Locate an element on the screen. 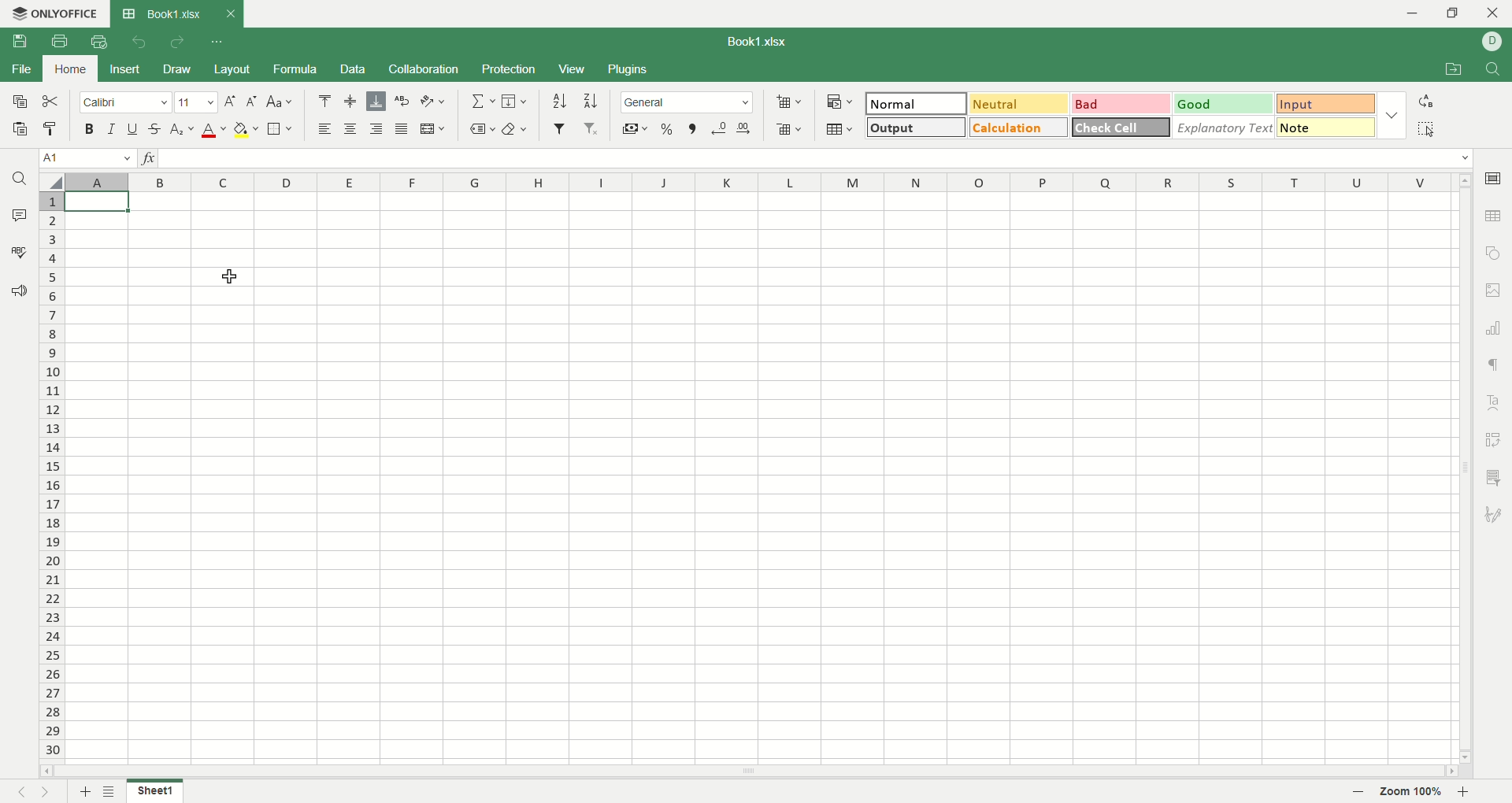  table settings is located at coordinates (1495, 217).